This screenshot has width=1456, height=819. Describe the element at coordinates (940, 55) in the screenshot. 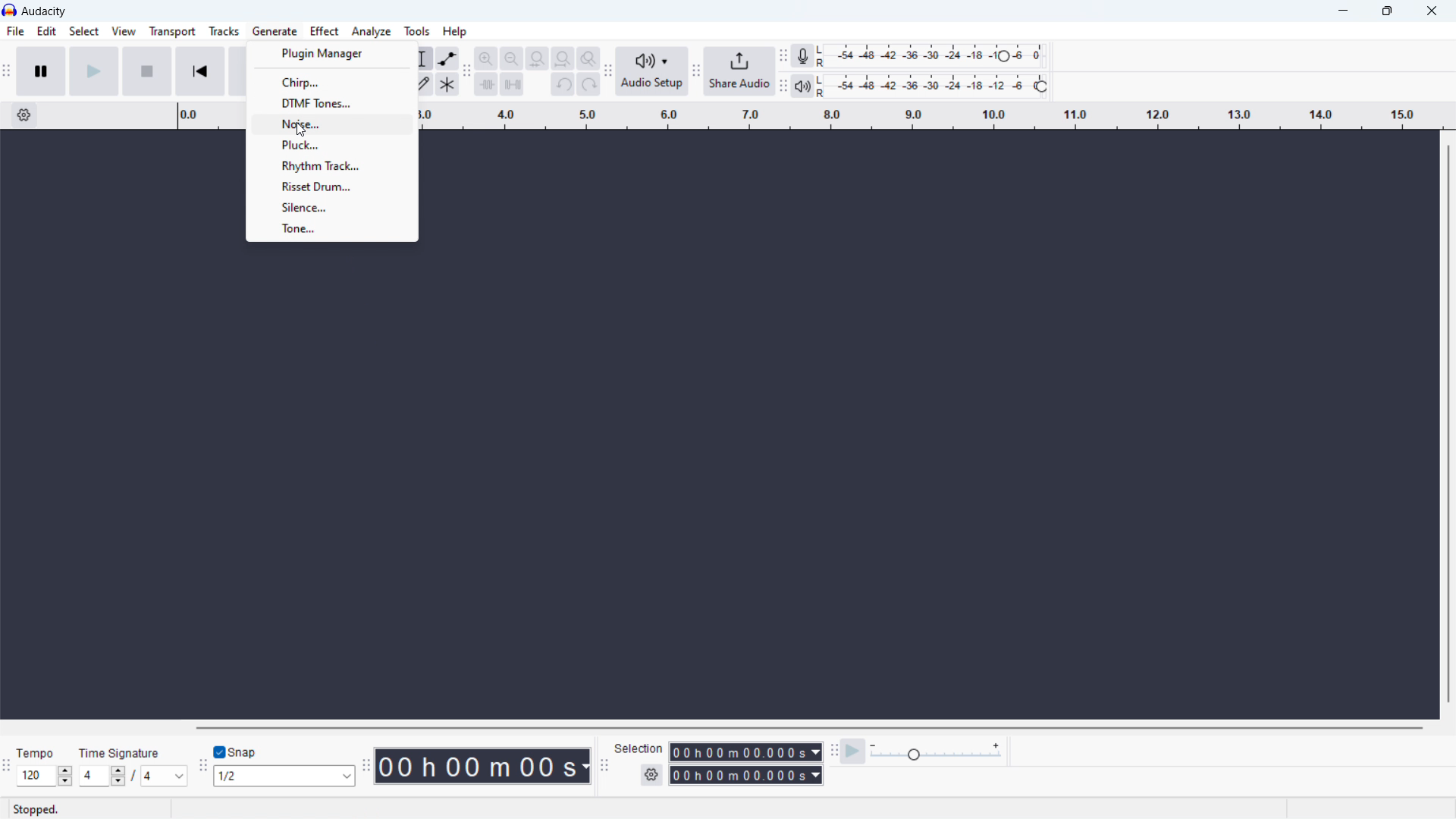

I see `recording level` at that location.